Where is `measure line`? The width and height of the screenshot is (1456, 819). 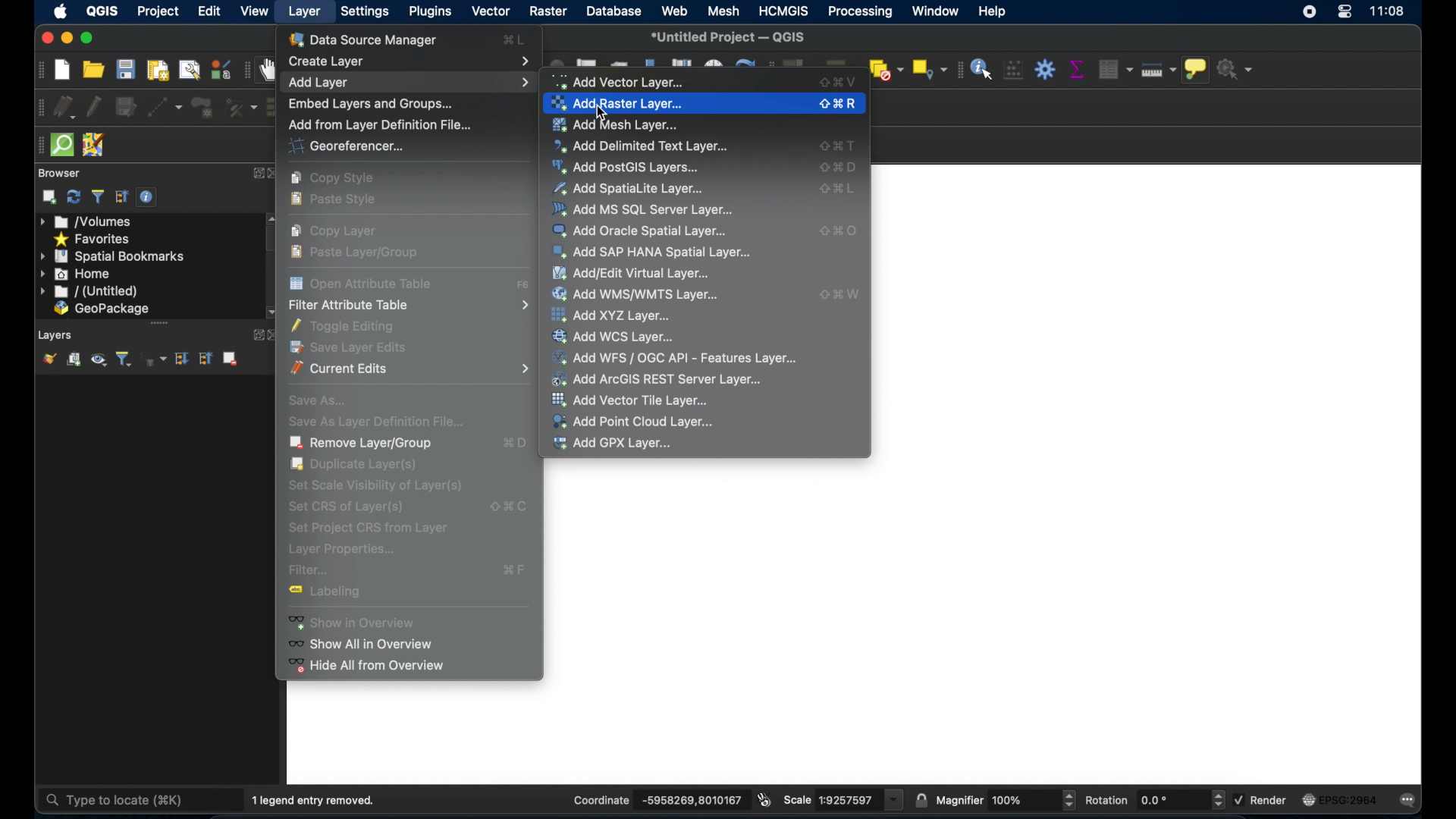 measure line is located at coordinates (1161, 72).